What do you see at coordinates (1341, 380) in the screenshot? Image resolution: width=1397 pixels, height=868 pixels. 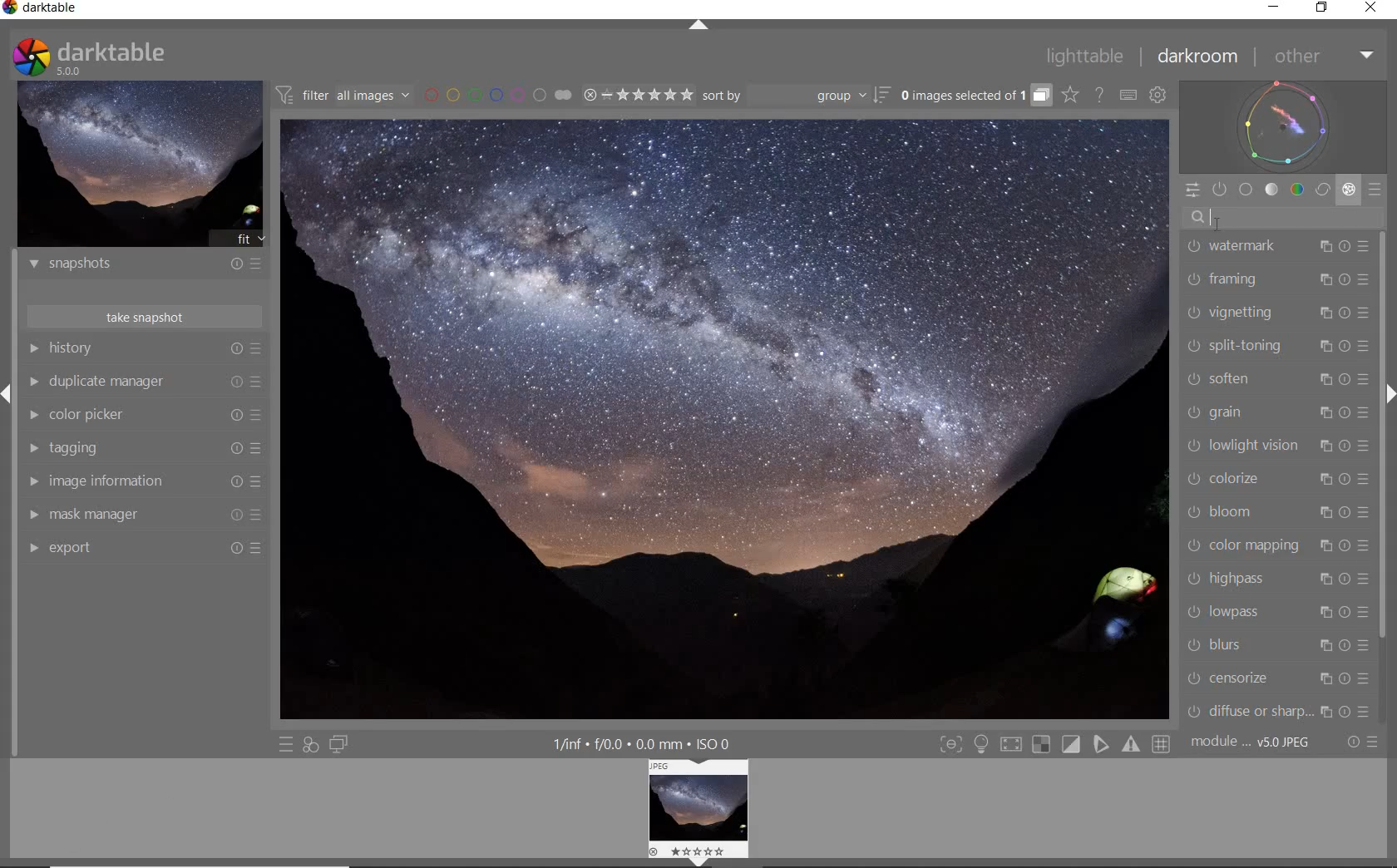 I see `reset parameters` at bounding box center [1341, 380].